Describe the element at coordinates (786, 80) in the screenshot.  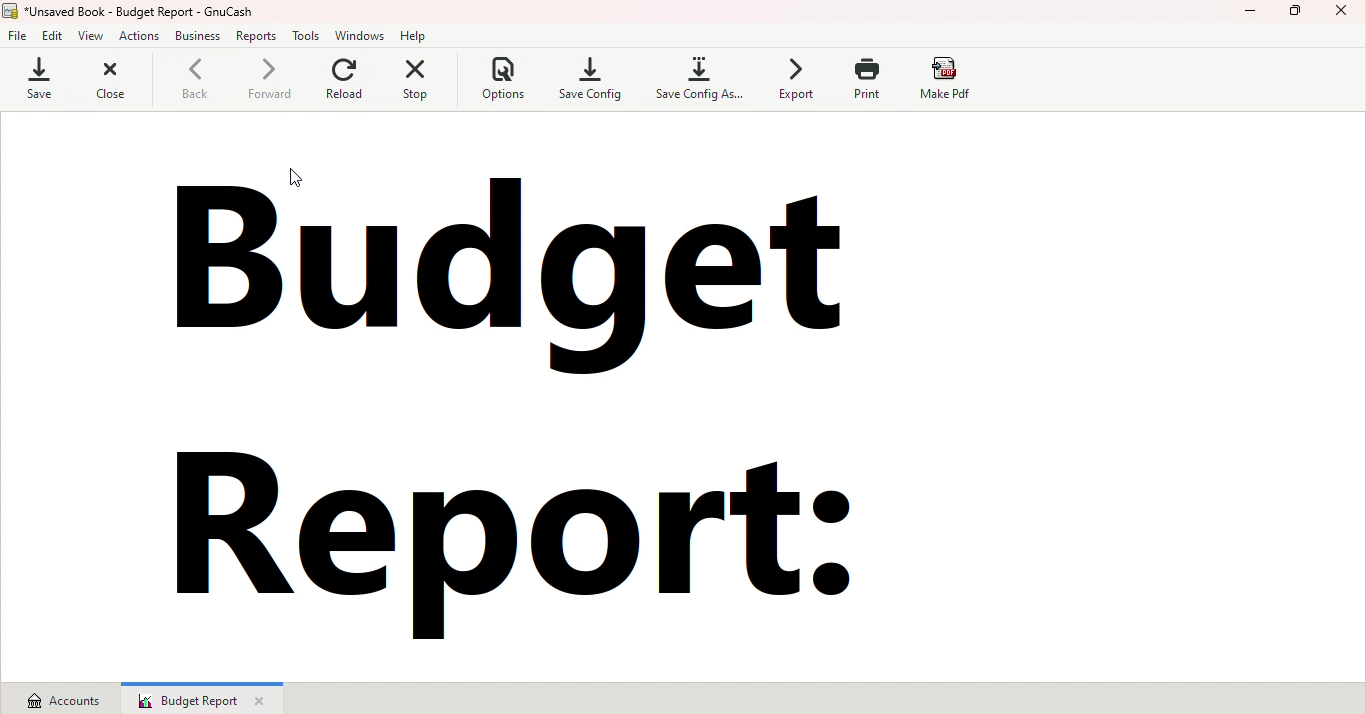
I see `Export` at that location.